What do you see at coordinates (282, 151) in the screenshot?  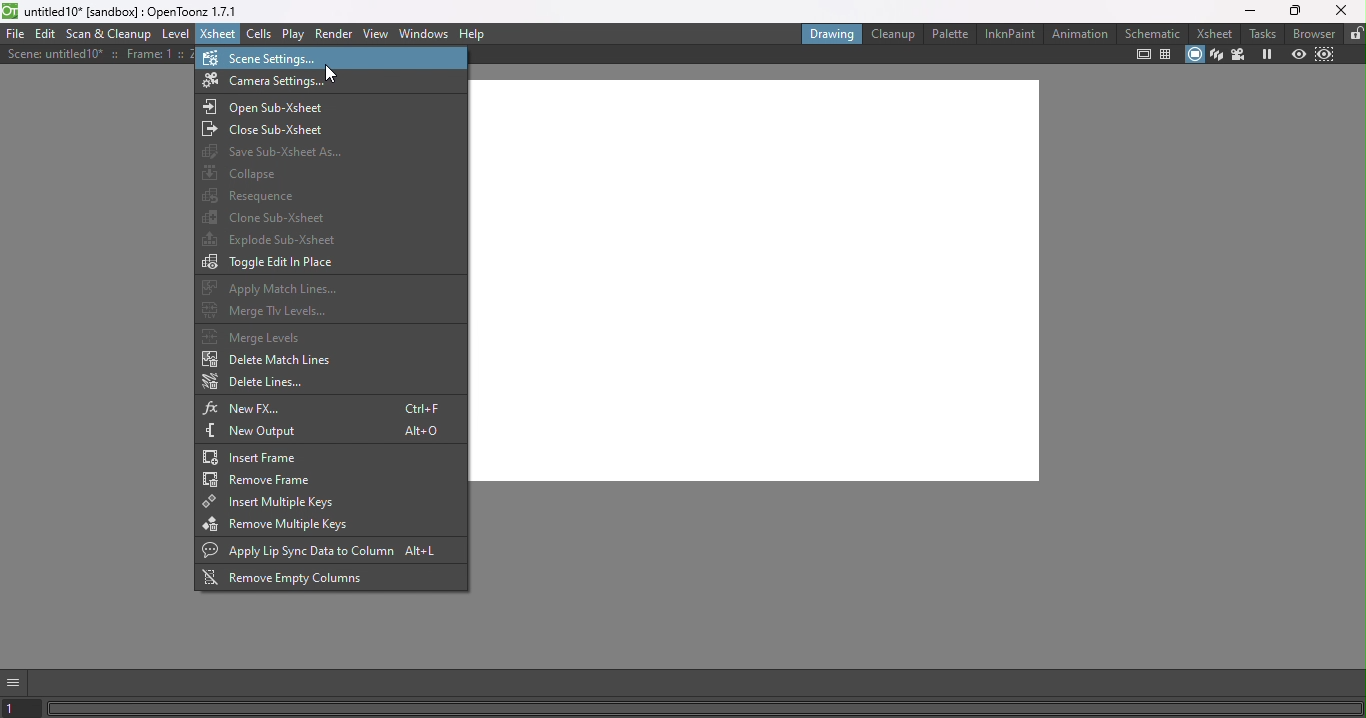 I see `Save Sub-Xsheet as...` at bounding box center [282, 151].